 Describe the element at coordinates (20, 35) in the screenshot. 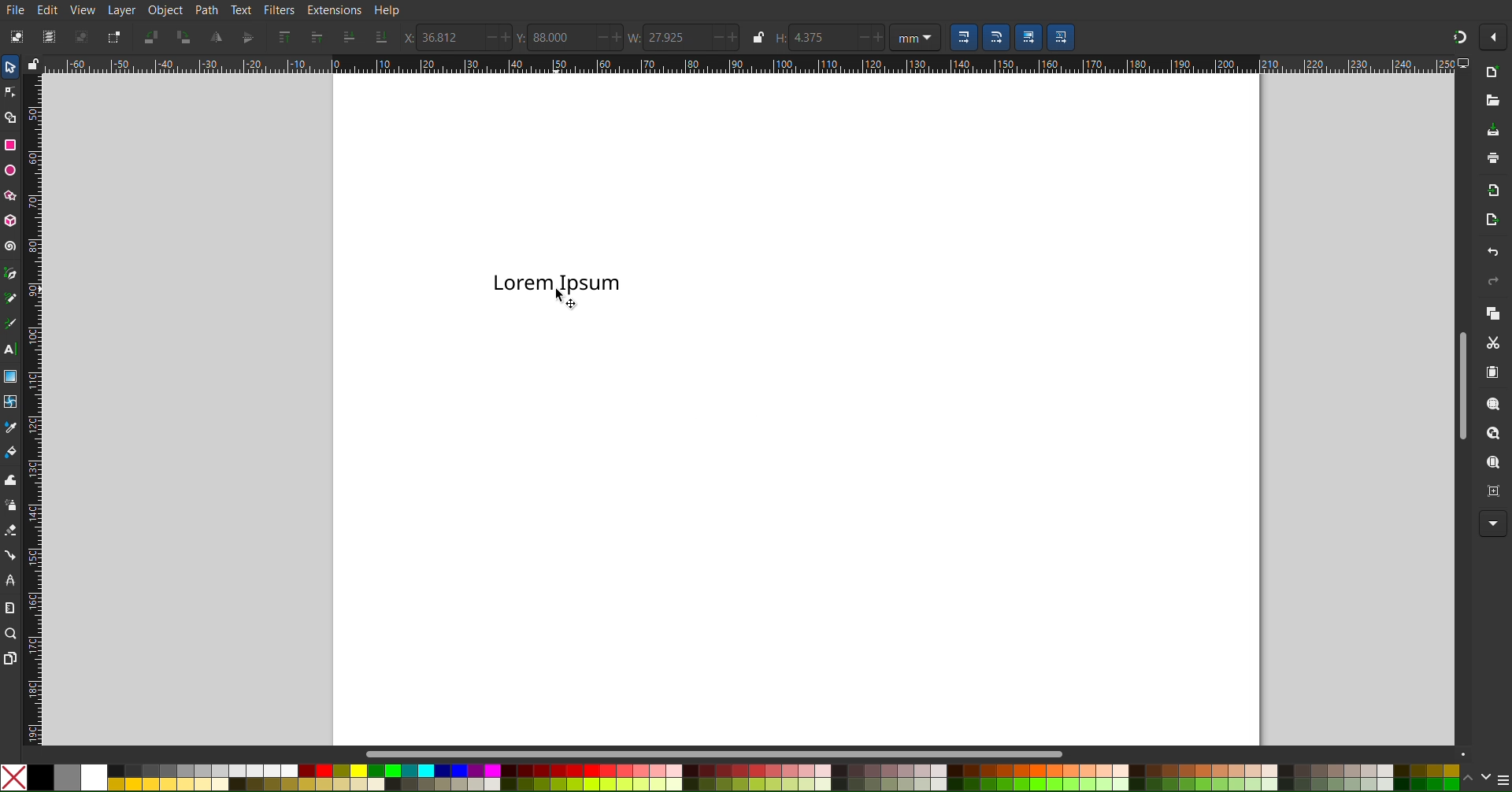

I see `Select object` at that location.